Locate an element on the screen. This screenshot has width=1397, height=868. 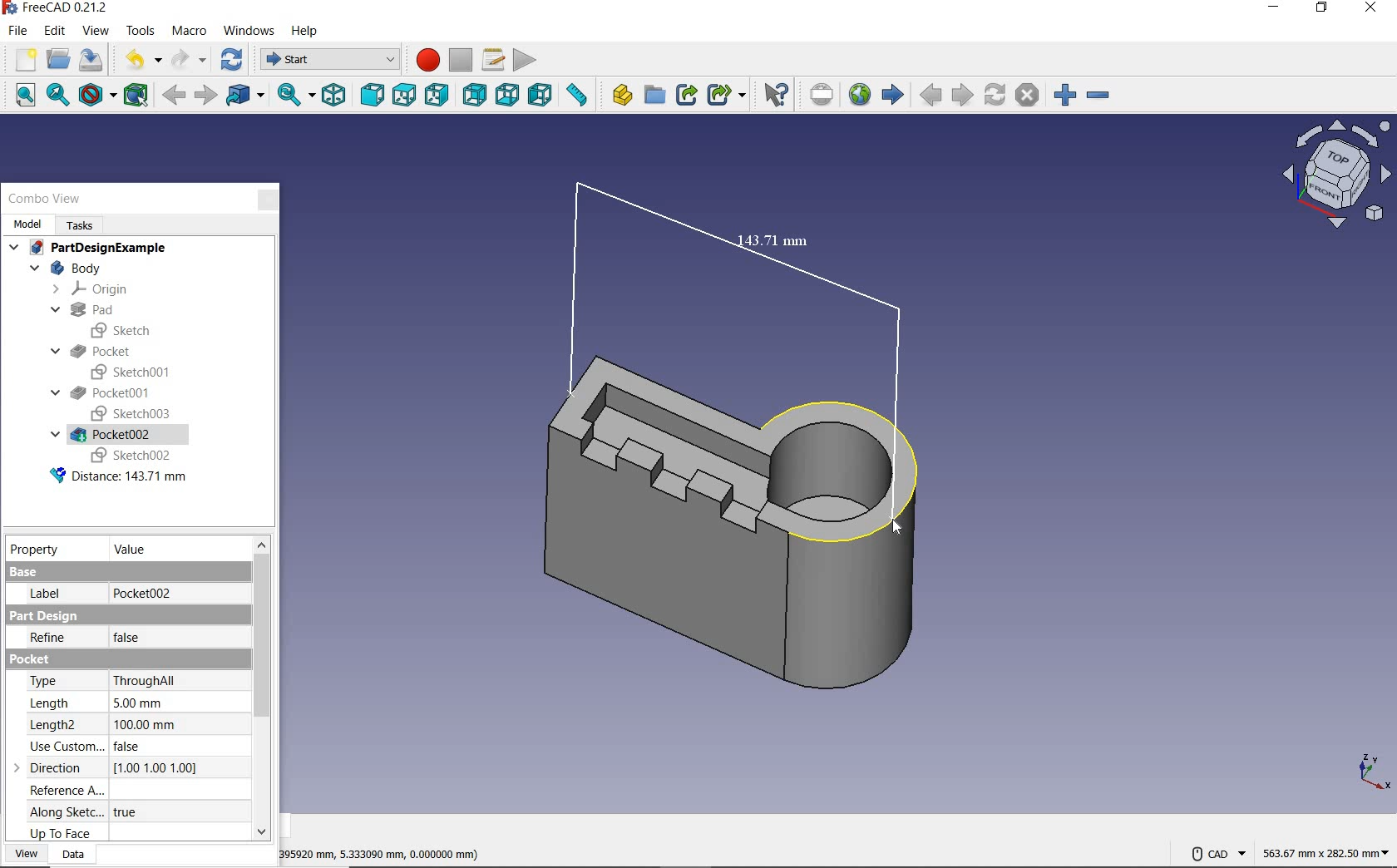
make sub-link is located at coordinates (725, 96).